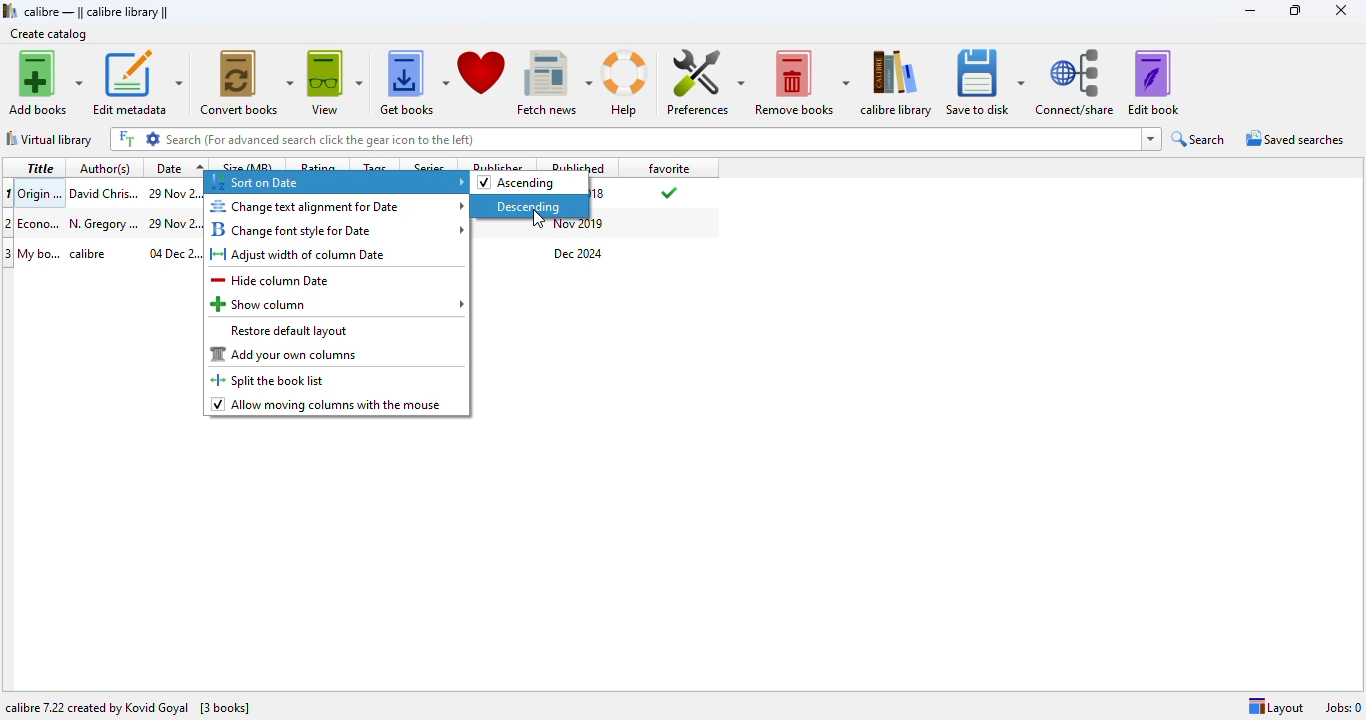 Image resolution: width=1366 pixels, height=720 pixels. Describe the element at coordinates (482, 74) in the screenshot. I see `donate to support calibre` at that location.